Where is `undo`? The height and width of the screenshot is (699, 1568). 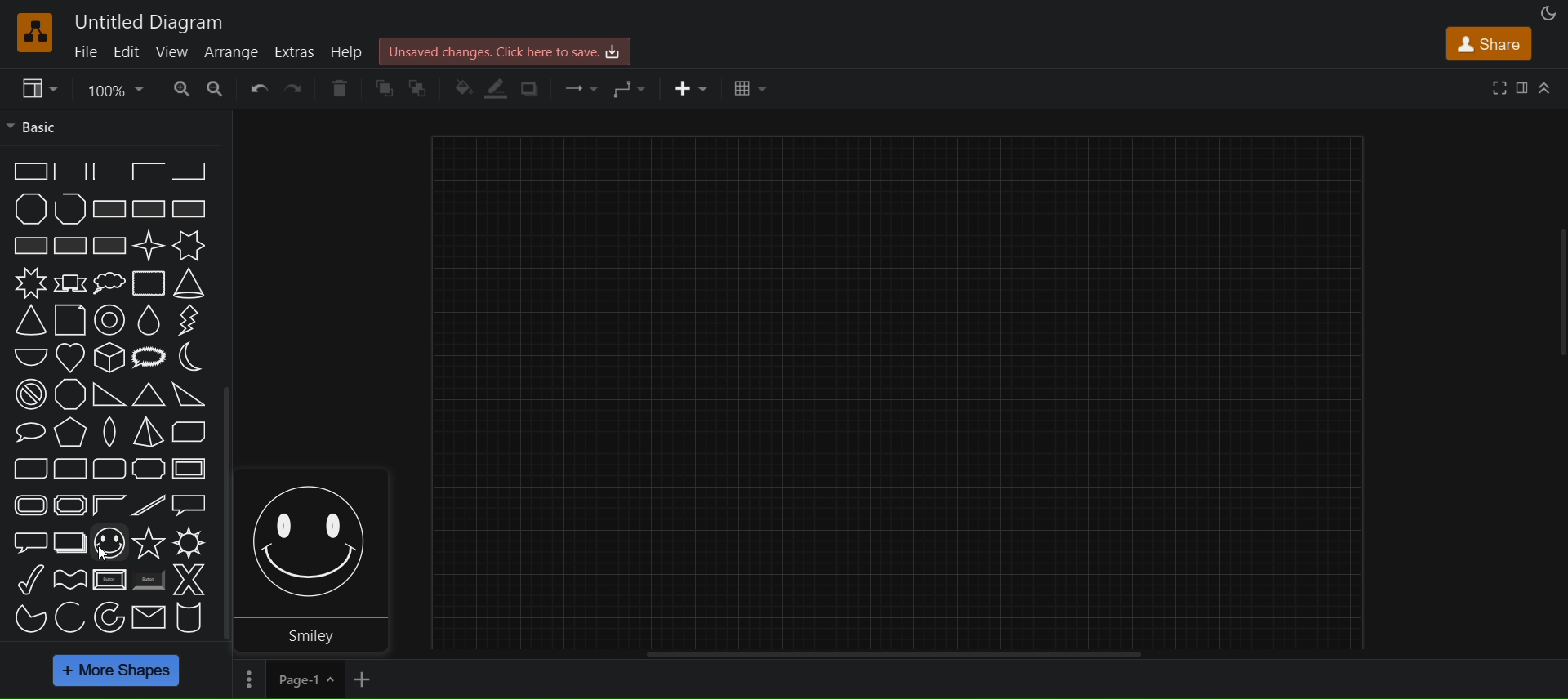
undo is located at coordinates (257, 87).